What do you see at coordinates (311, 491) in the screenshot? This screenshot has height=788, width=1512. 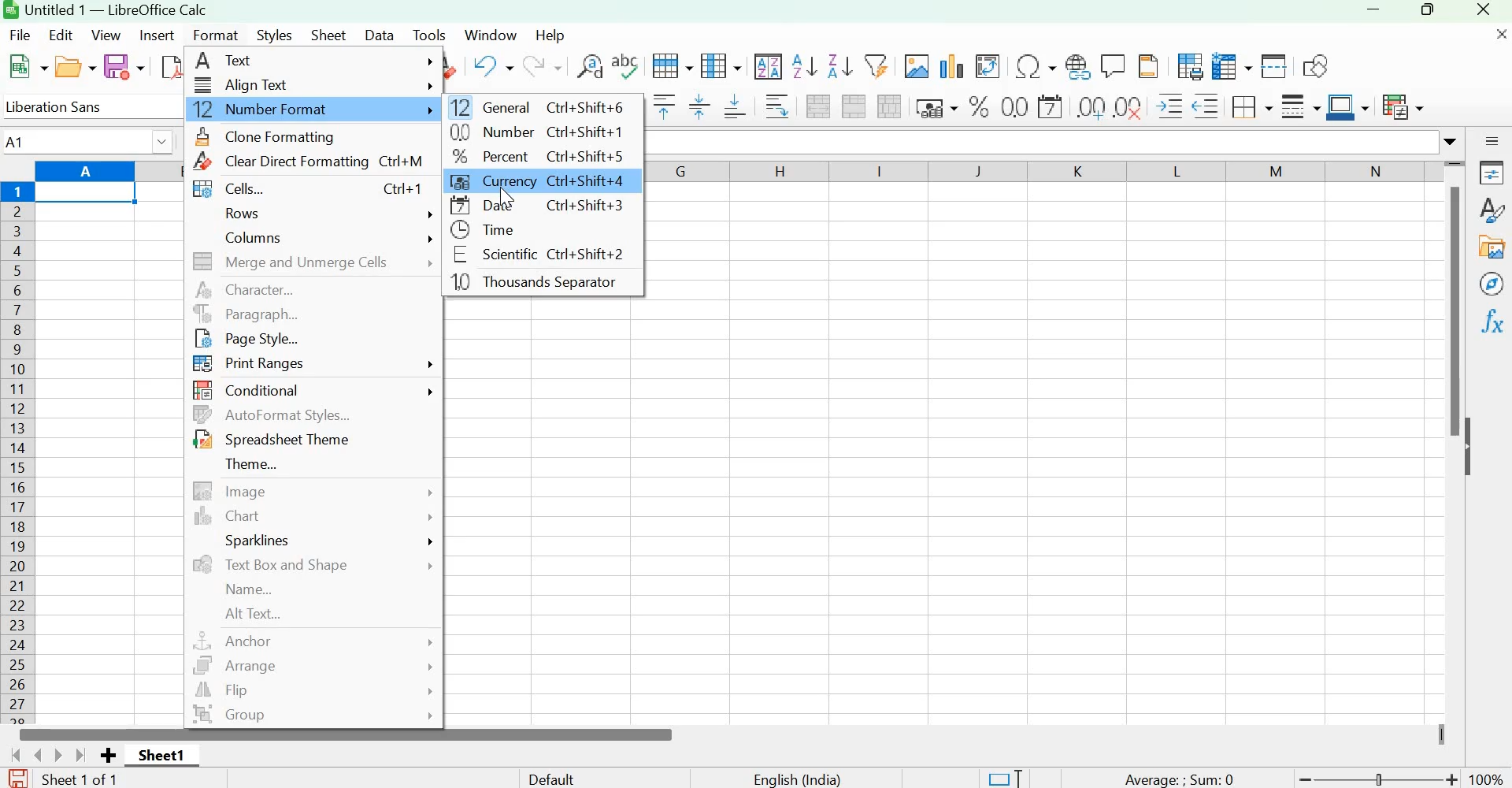 I see `Image` at bounding box center [311, 491].